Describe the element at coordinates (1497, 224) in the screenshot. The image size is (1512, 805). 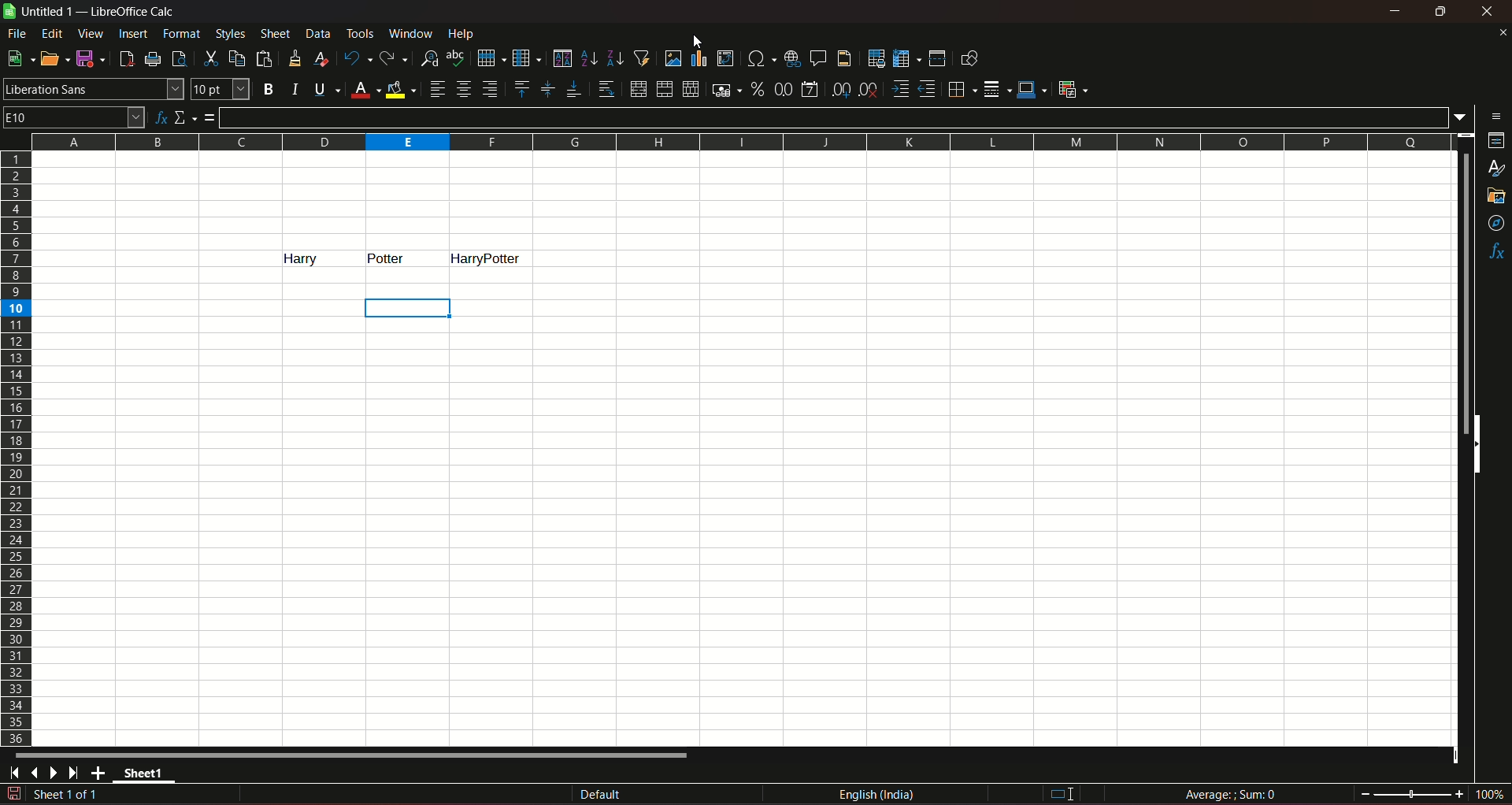
I see `navigator` at that location.